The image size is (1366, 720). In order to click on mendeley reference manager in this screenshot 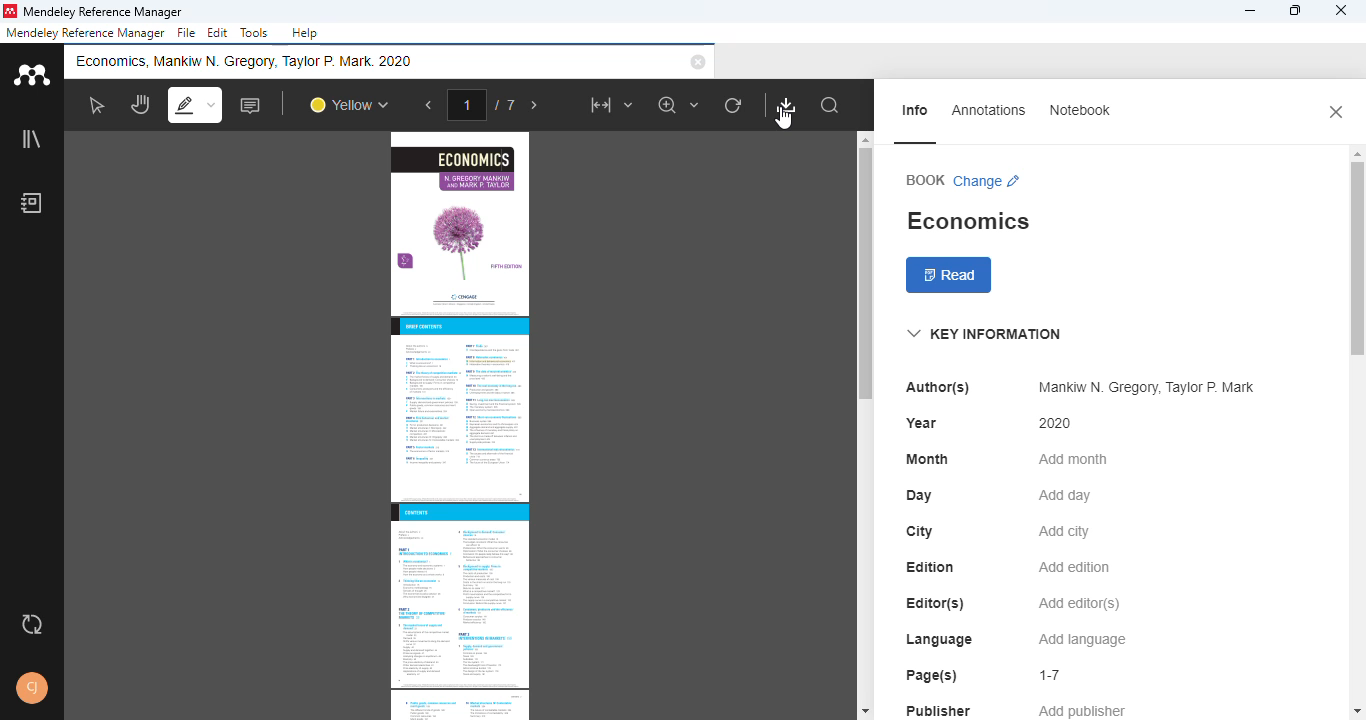, I will do `click(103, 11)`.